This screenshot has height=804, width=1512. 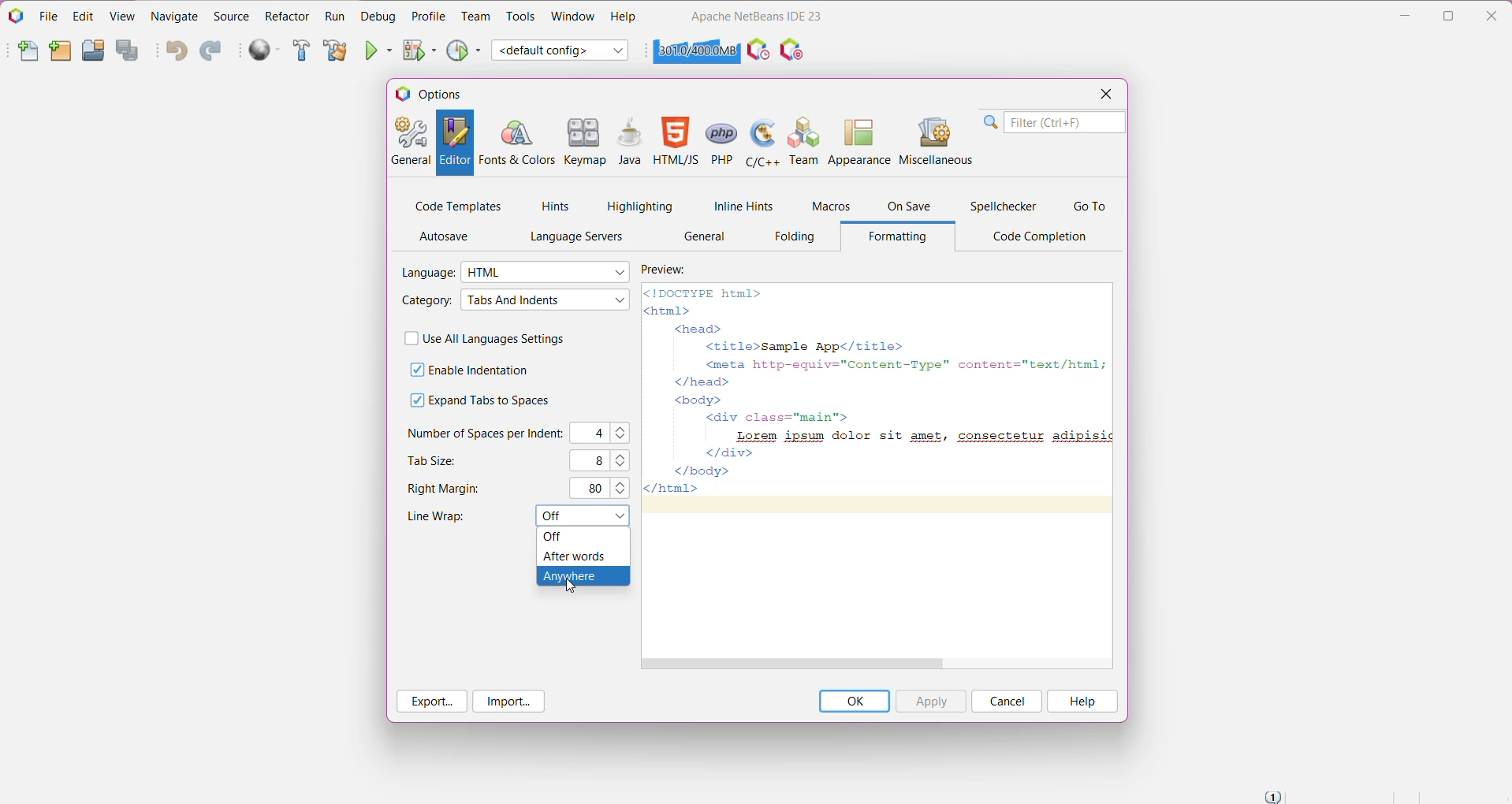 I want to click on 8, so click(x=594, y=460).